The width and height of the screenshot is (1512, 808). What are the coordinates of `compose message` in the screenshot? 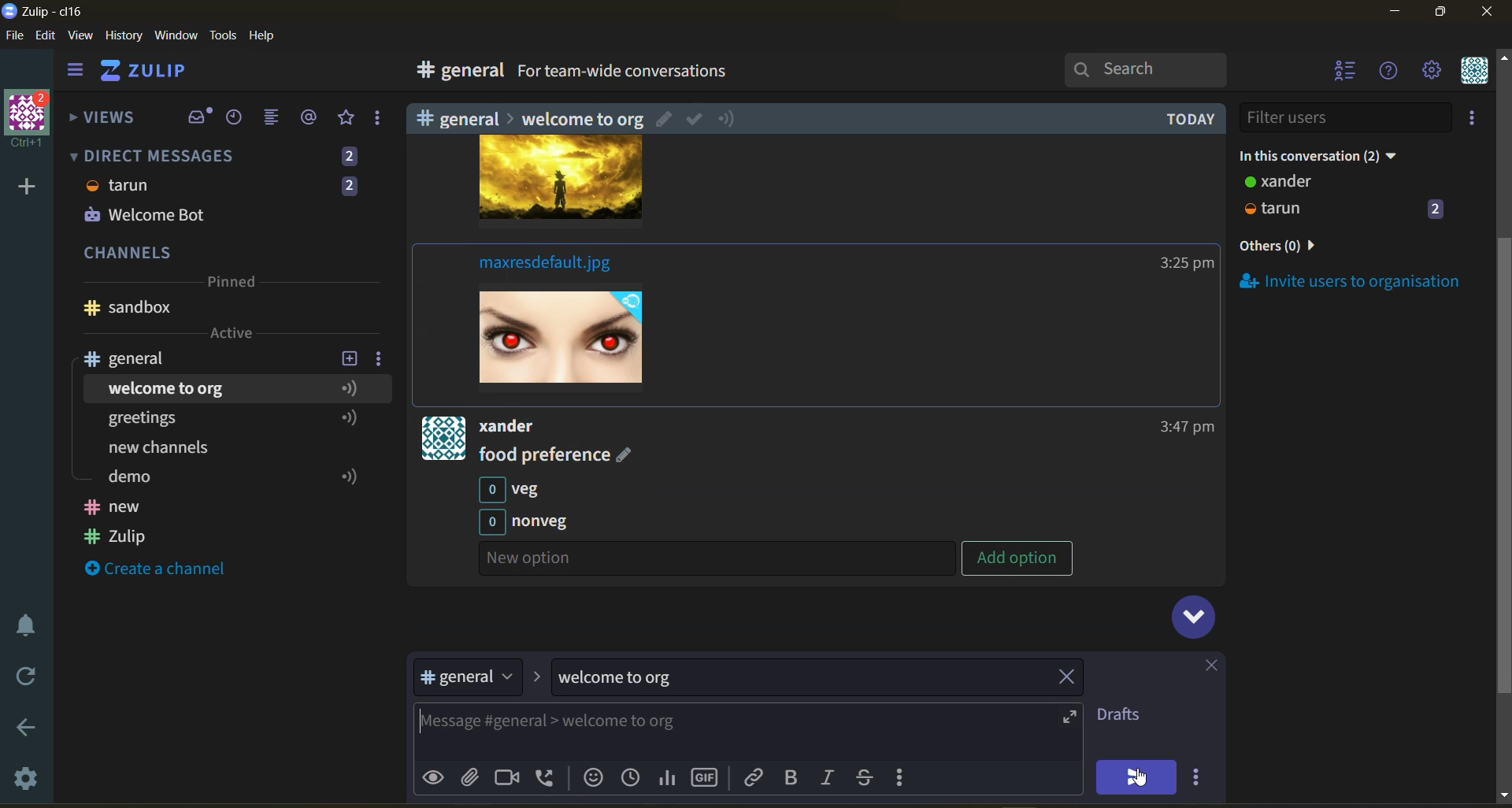 It's located at (736, 730).